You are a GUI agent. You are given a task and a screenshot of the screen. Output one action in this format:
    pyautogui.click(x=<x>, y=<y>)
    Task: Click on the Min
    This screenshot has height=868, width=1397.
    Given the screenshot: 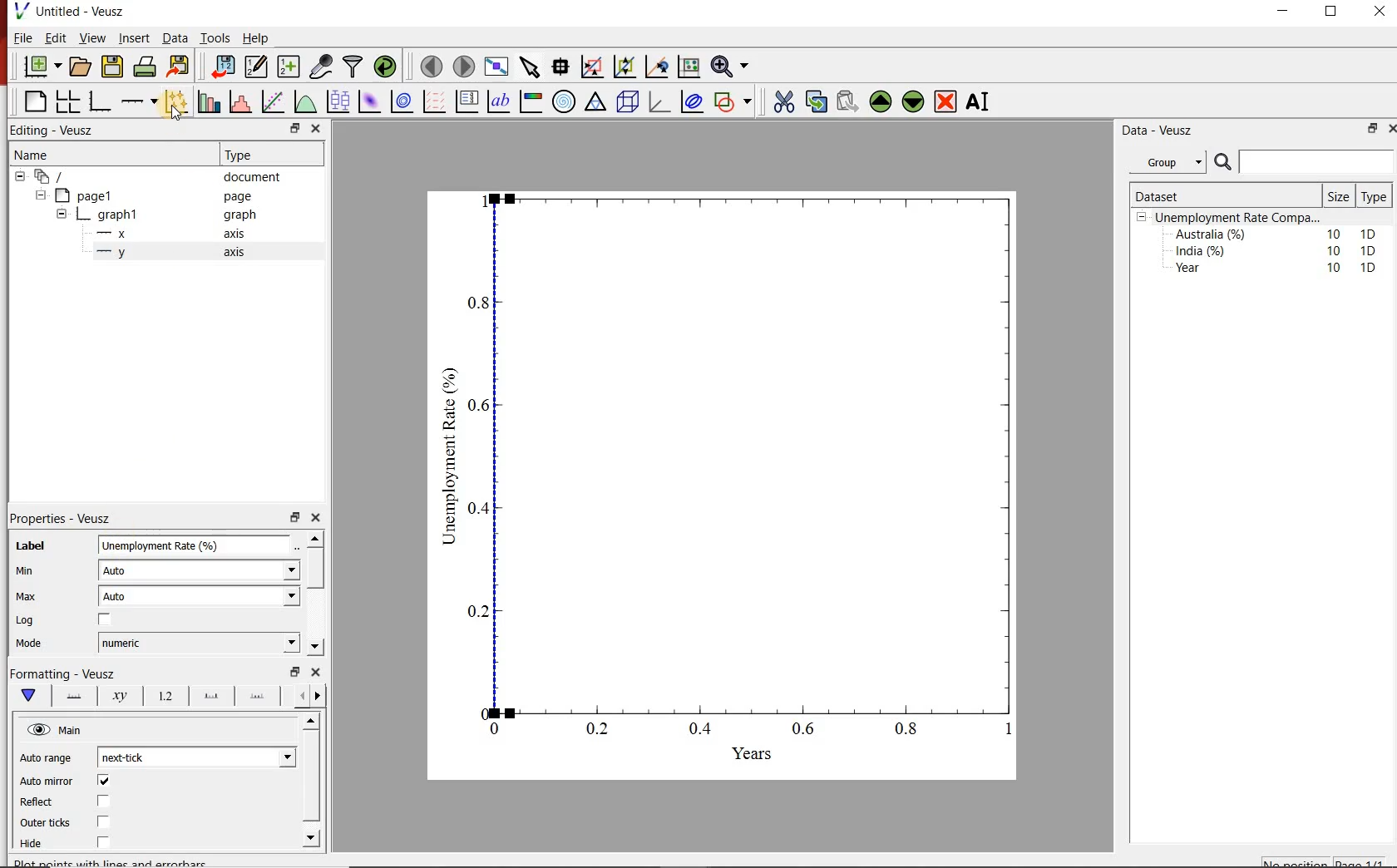 What is the action you would take?
    pyautogui.click(x=36, y=572)
    